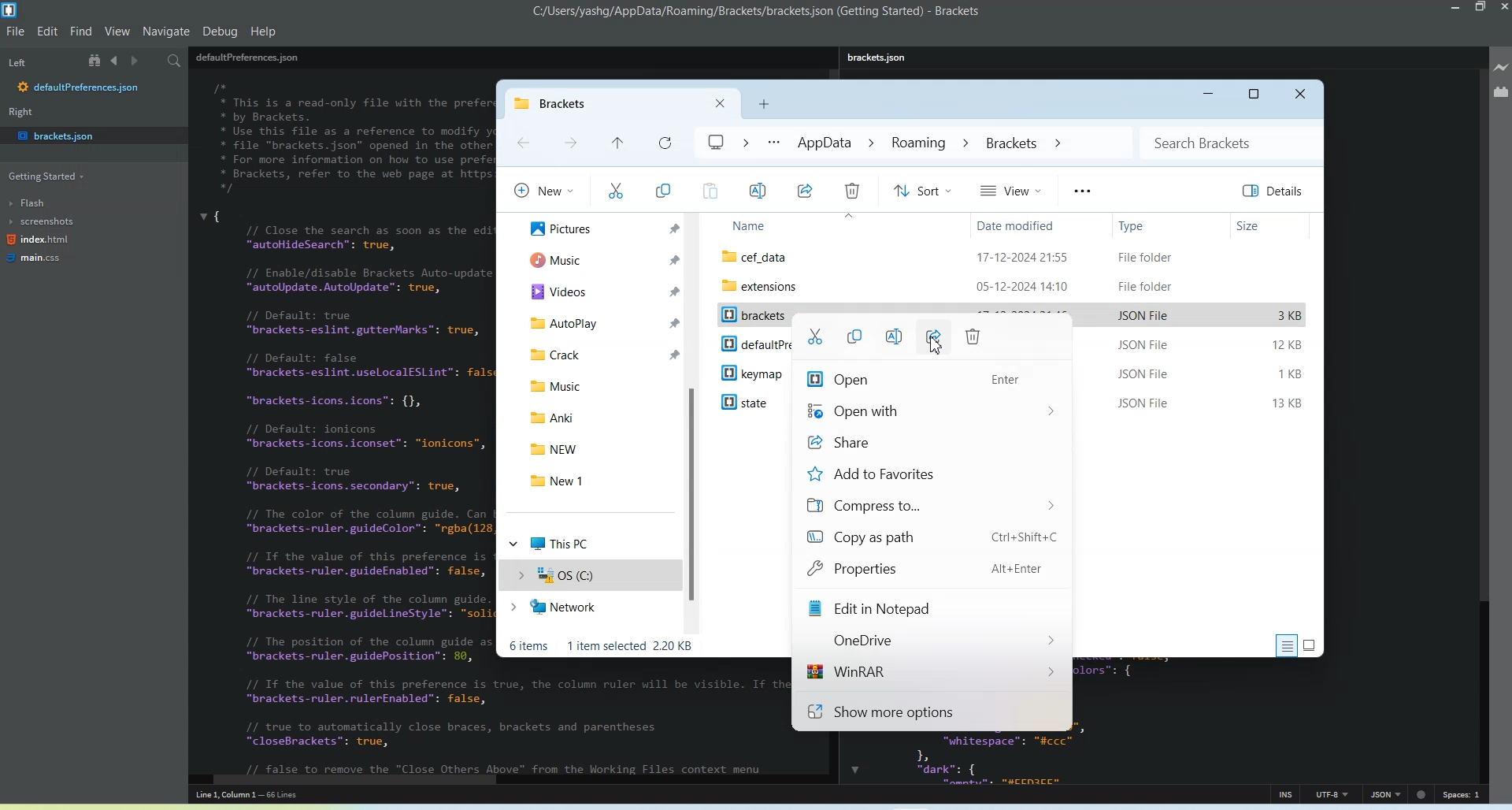 Image resolution: width=1512 pixels, height=810 pixels. I want to click on Navigate Backwards, so click(117, 61).